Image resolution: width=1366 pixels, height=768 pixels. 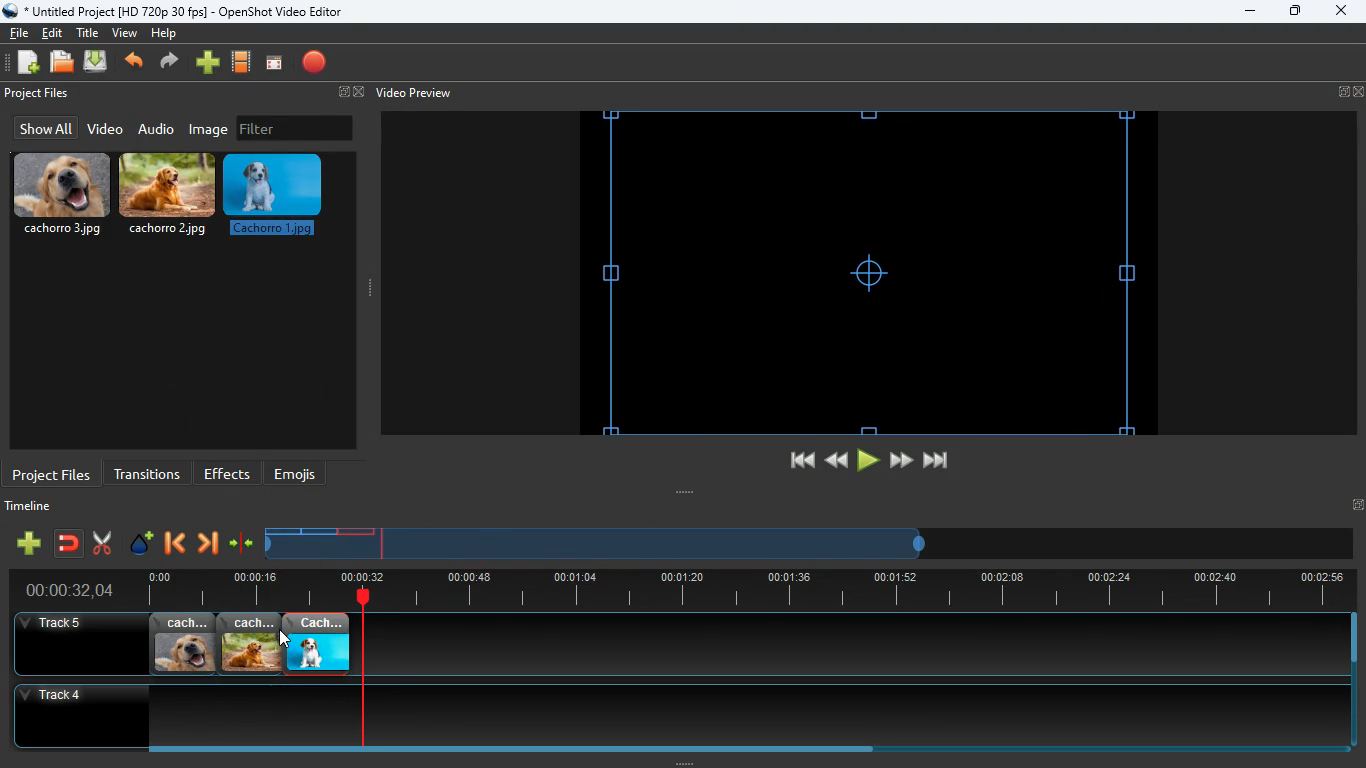 What do you see at coordinates (598, 551) in the screenshot?
I see `timeline` at bounding box center [598, 551].